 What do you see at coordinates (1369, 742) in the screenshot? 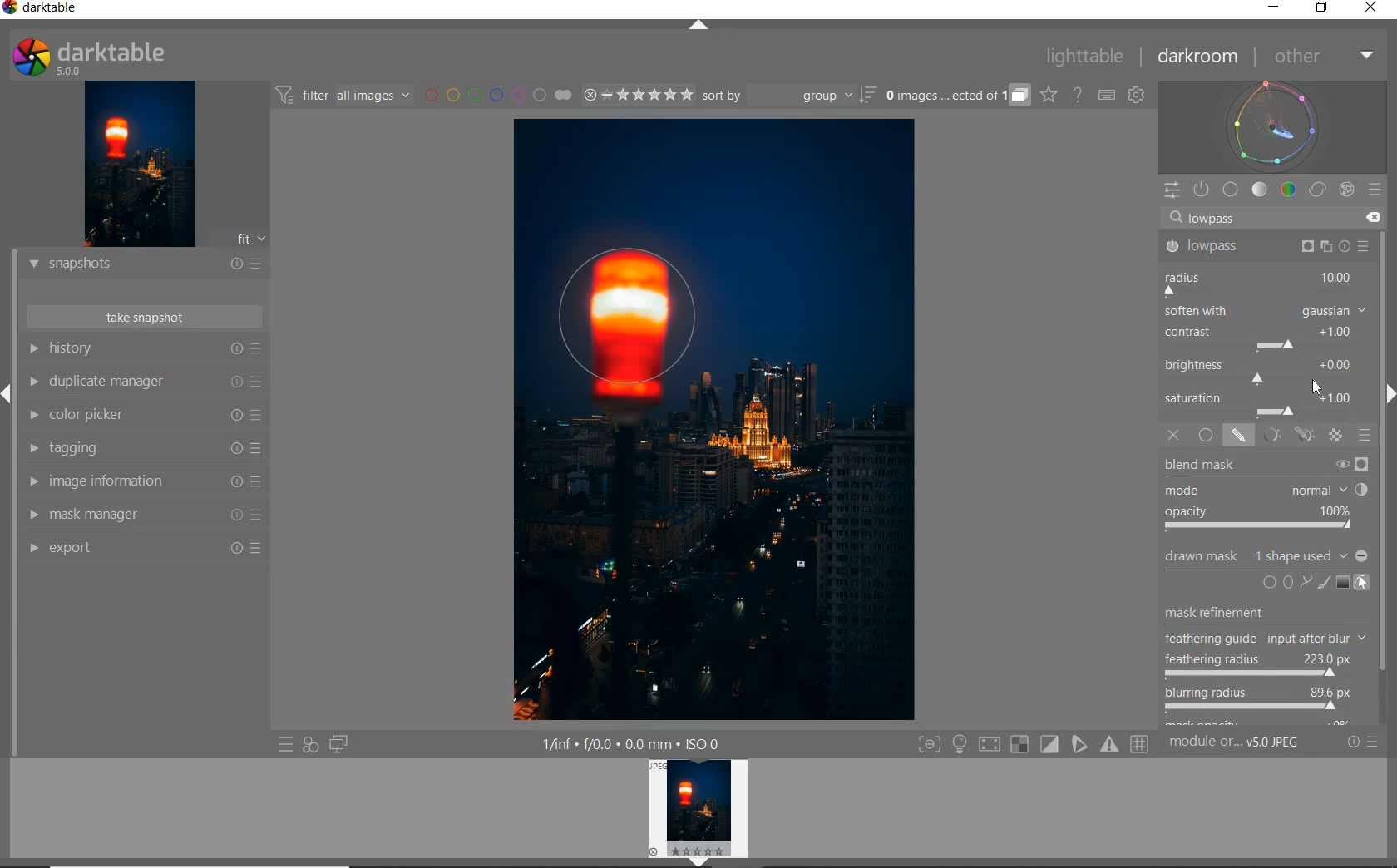
I see `RESET OR PRESETS & PREFERENCES` at bounding box center [1369, 742].